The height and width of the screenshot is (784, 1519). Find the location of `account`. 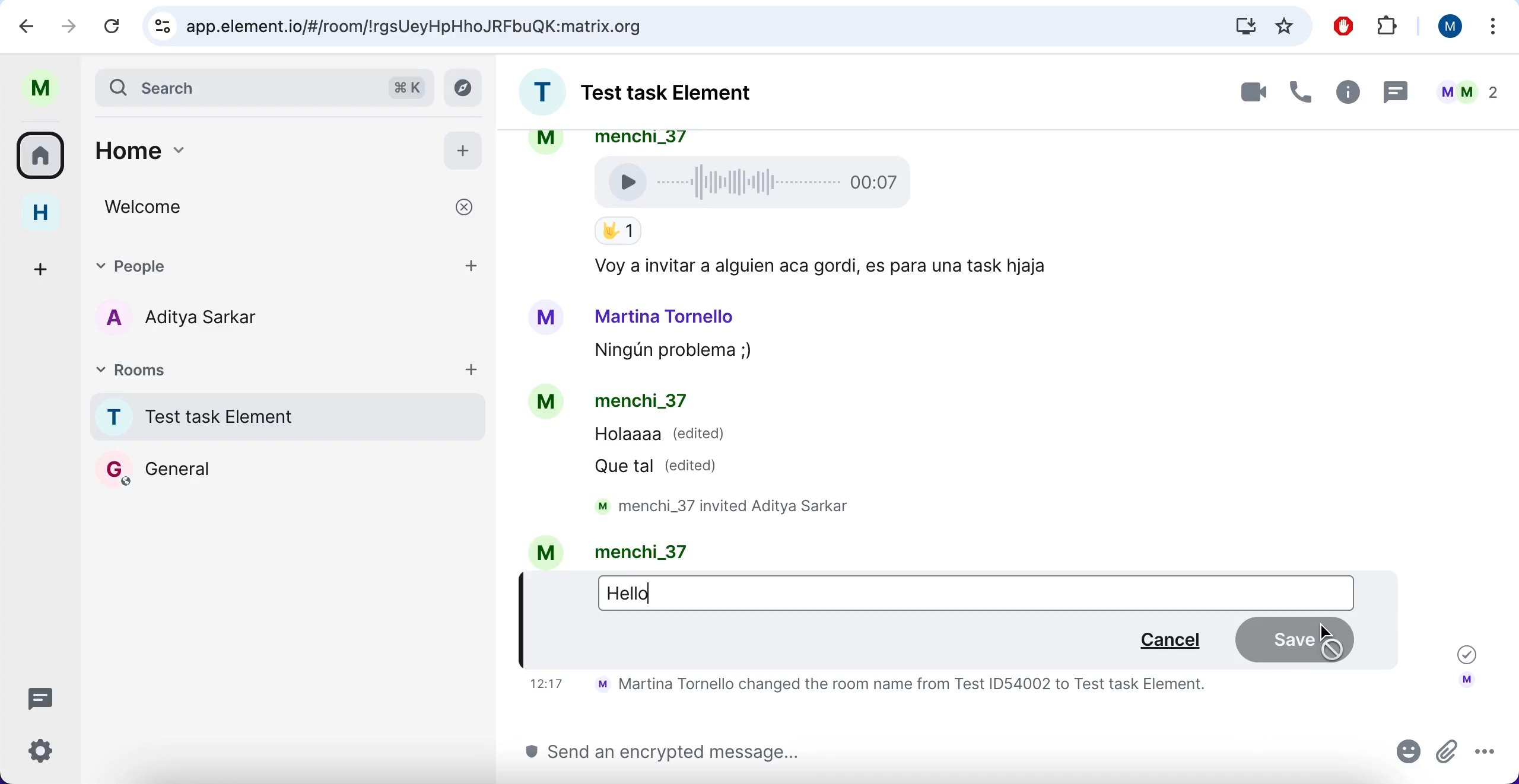

account is located at coordinates (1466, 684).